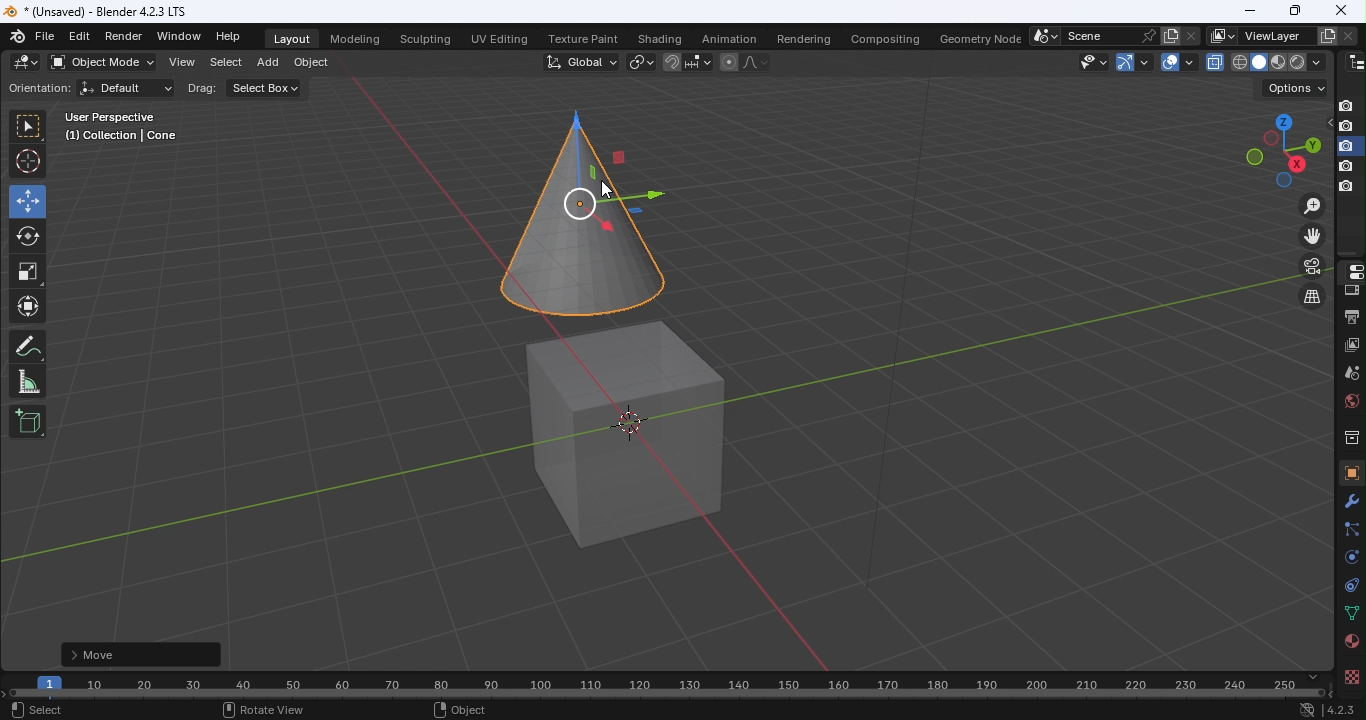  I want to click on disable in renders, so click(1345, 167).